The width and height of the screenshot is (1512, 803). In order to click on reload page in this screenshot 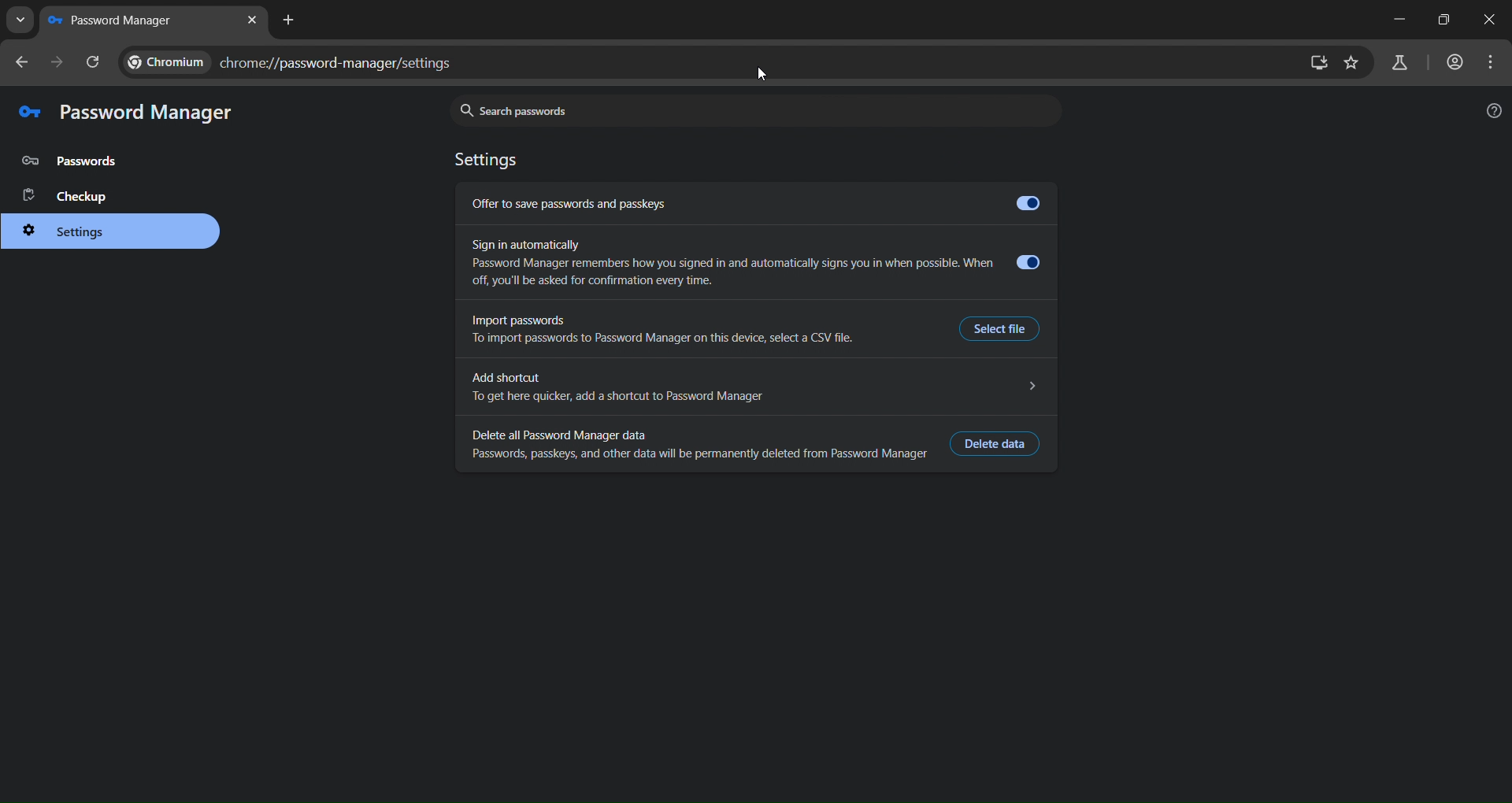, I will do `click(94, 61)`.